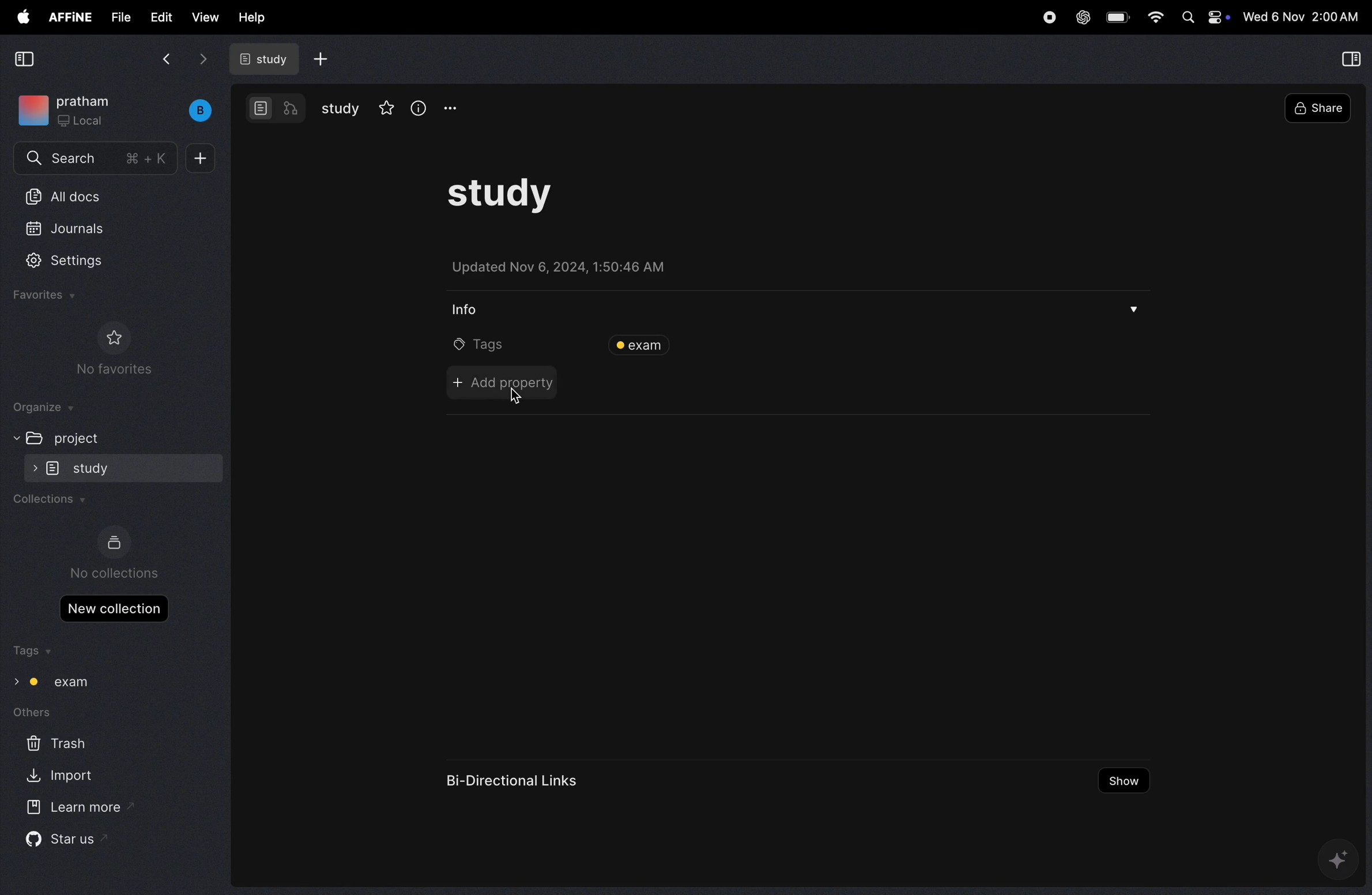 This screenshot has height=895, width=1372. What do you see at coordinates (342, 108) in the screenshot?
I see `study` at bounding box center [342, 108].